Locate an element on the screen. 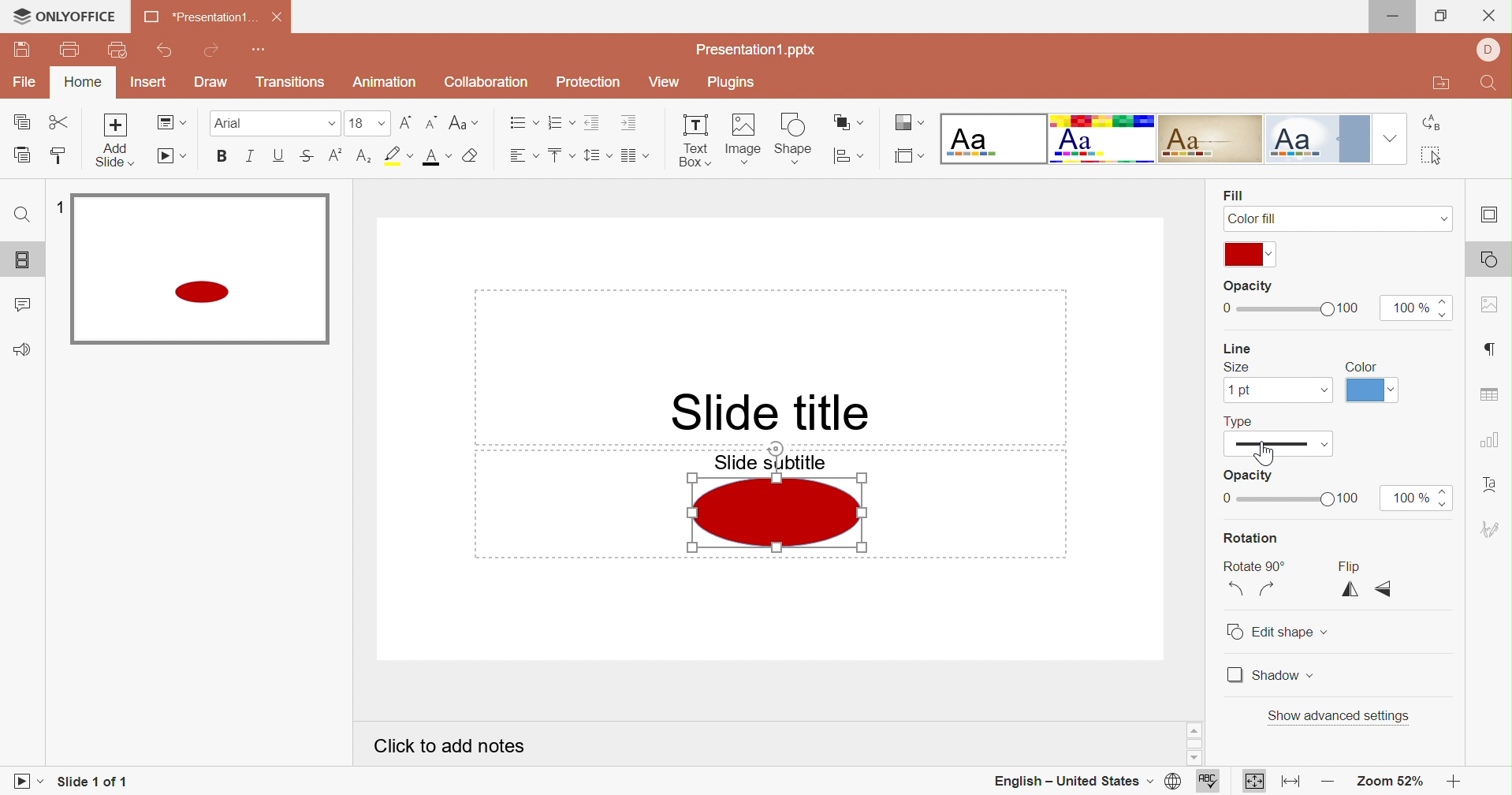 The width and height of the screenshot is (1512, 795). Close is located at coordinates (1489, 16).